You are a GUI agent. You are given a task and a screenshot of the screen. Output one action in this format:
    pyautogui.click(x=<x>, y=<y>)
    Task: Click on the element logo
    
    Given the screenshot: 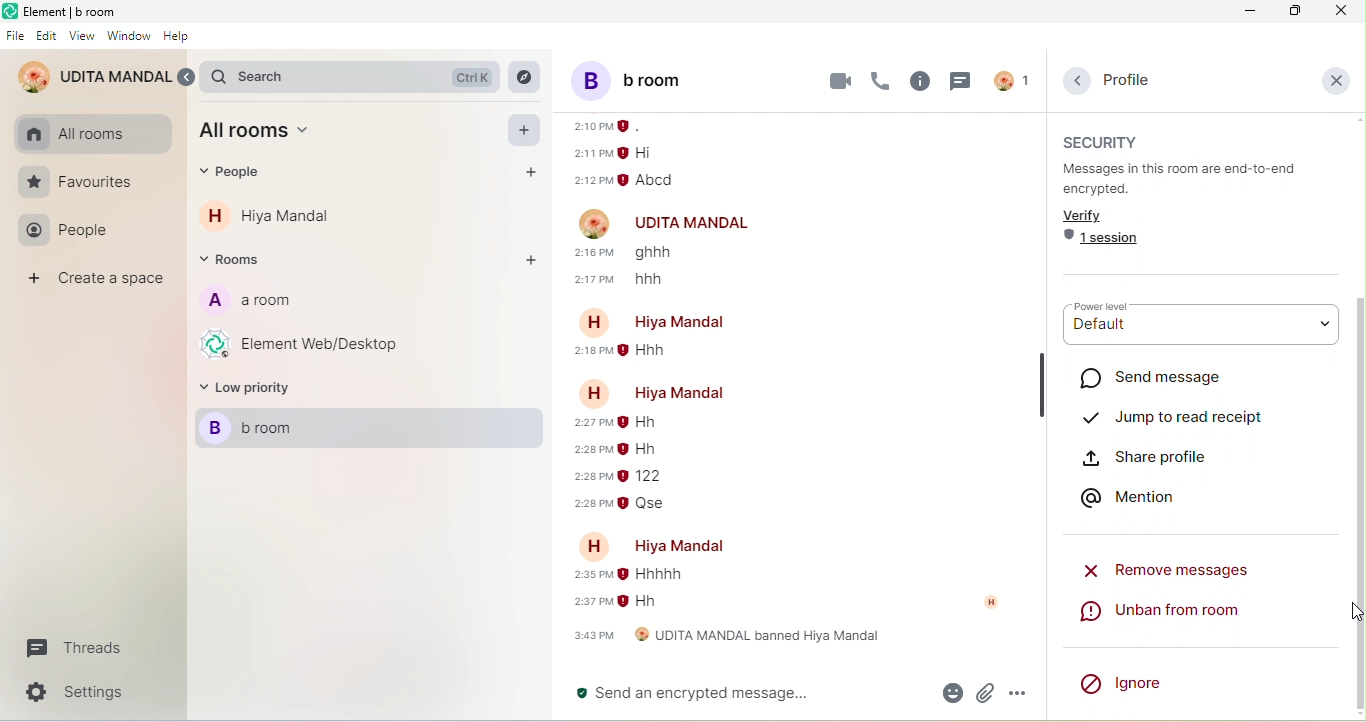 What is the action you would take?
    pyautogui.click(x=10, y=12)
    